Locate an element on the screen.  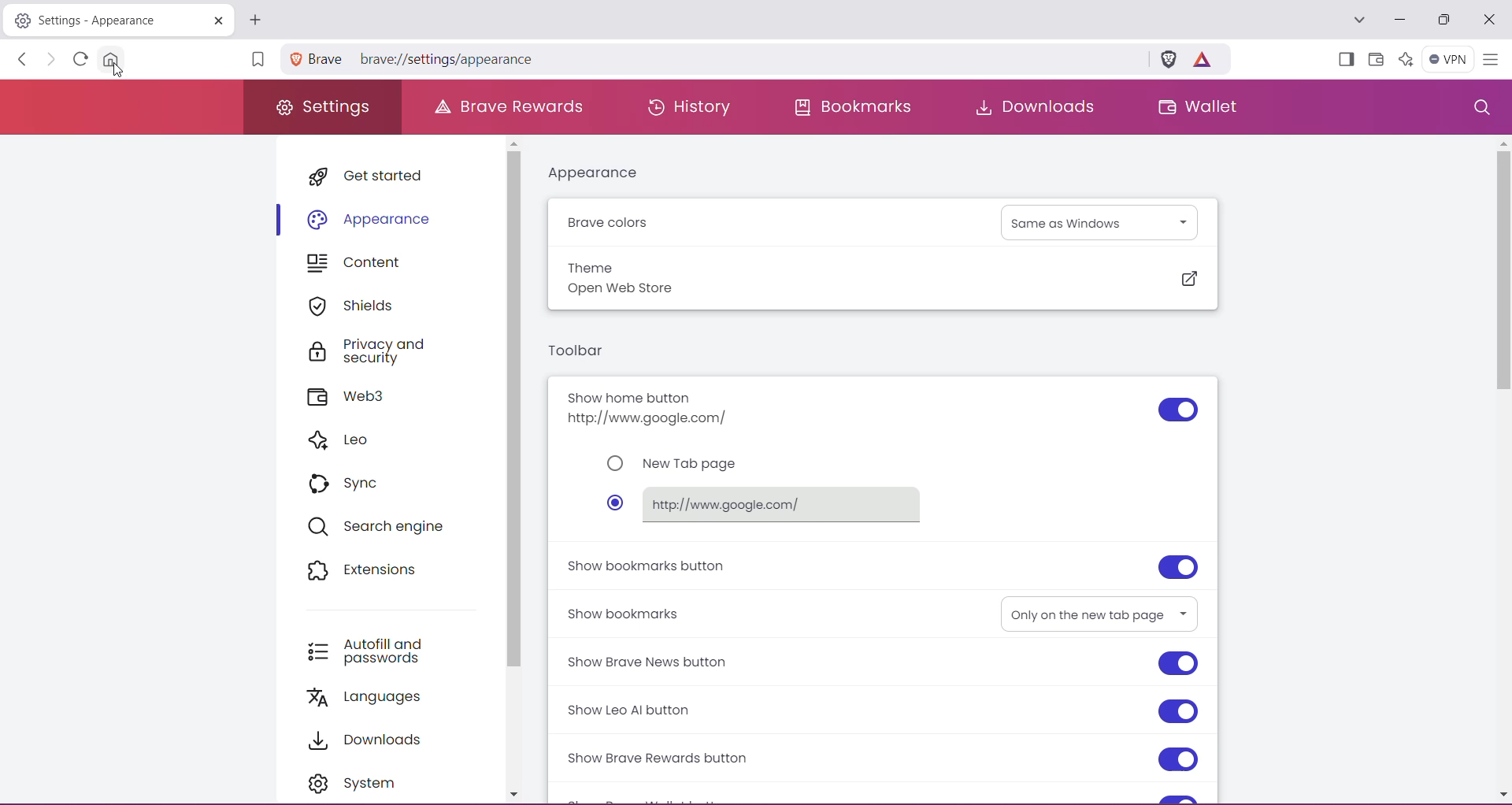
Languages is located at coordinates (374, 697).